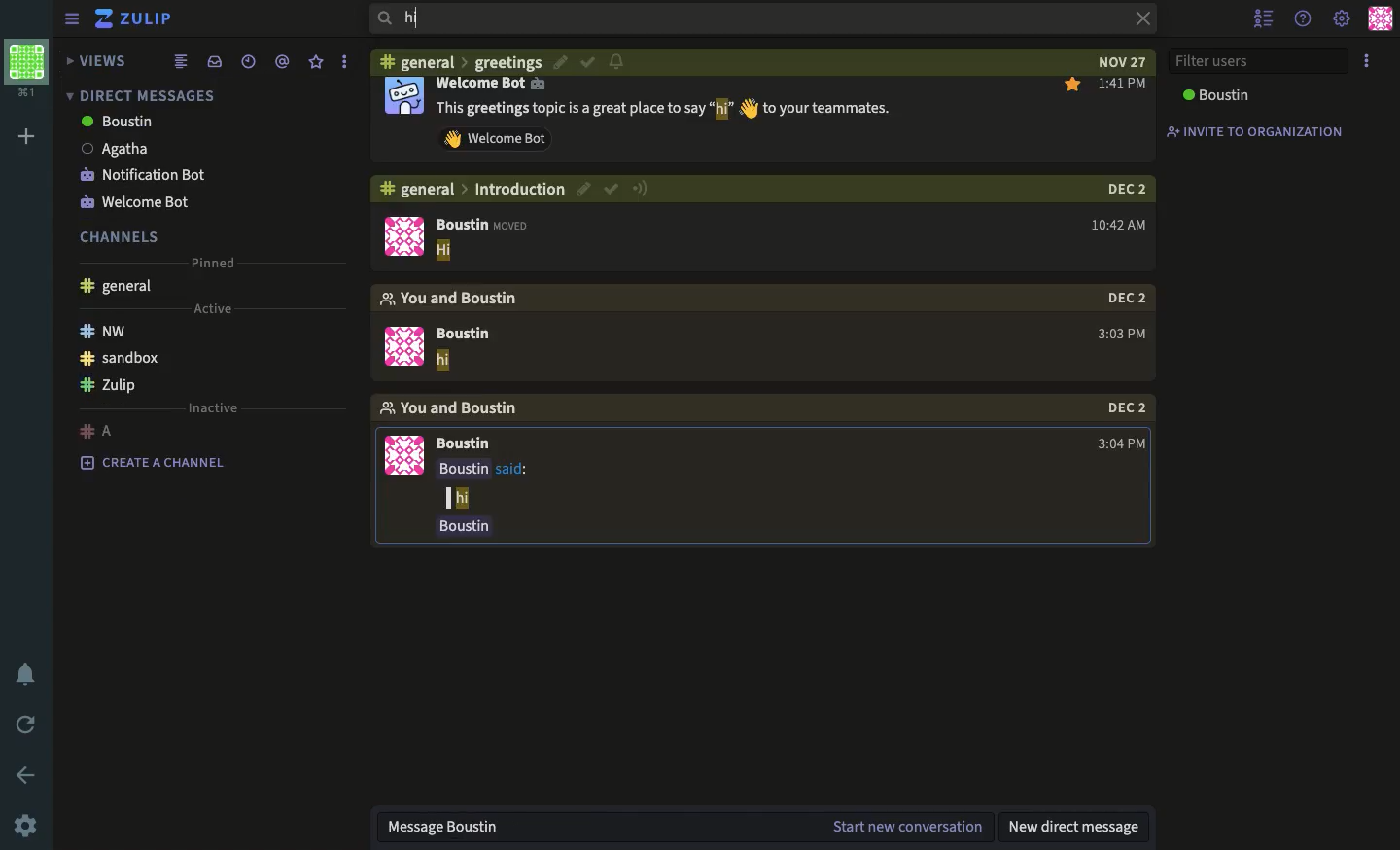 The image size is (1400, 850). Describe the element at coordinates (402, 99) in the screenshot. I see `view user card` at that location.